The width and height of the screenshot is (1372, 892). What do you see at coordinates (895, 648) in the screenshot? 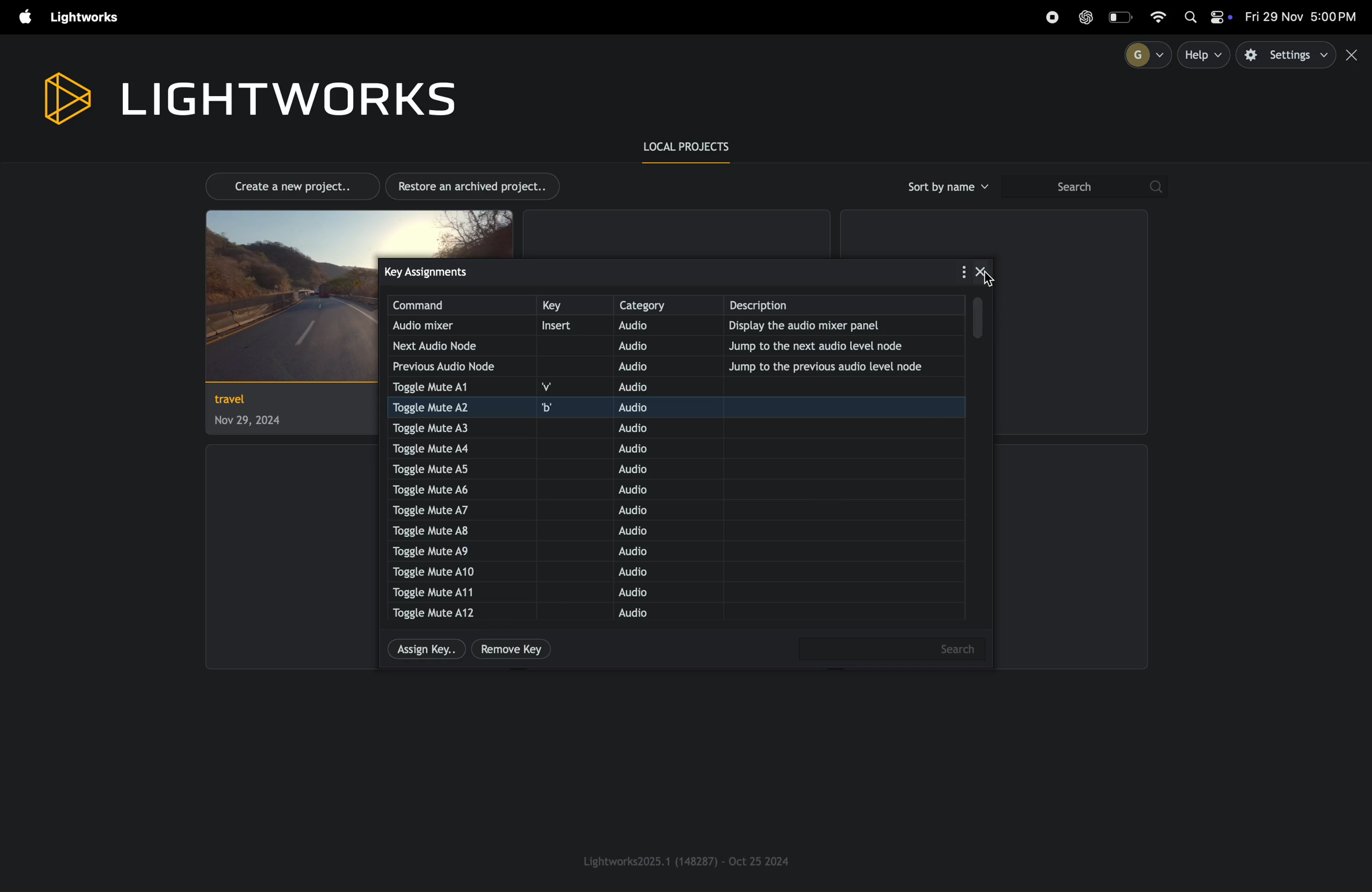
I see `search` at bounding box center [895, 648].